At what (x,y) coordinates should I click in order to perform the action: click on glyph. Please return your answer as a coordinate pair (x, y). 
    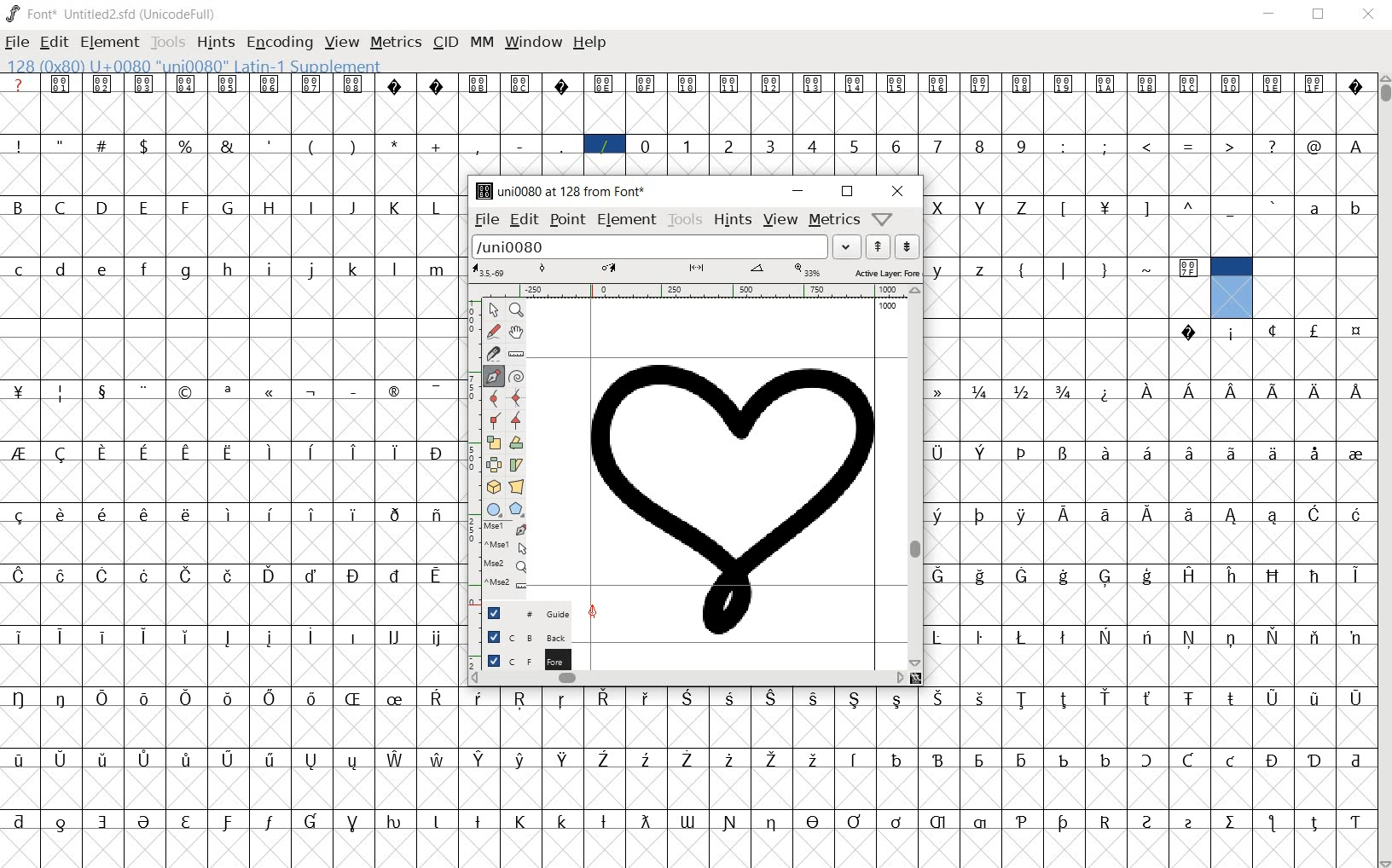
    Looking at the image, I should click on (311, 698).